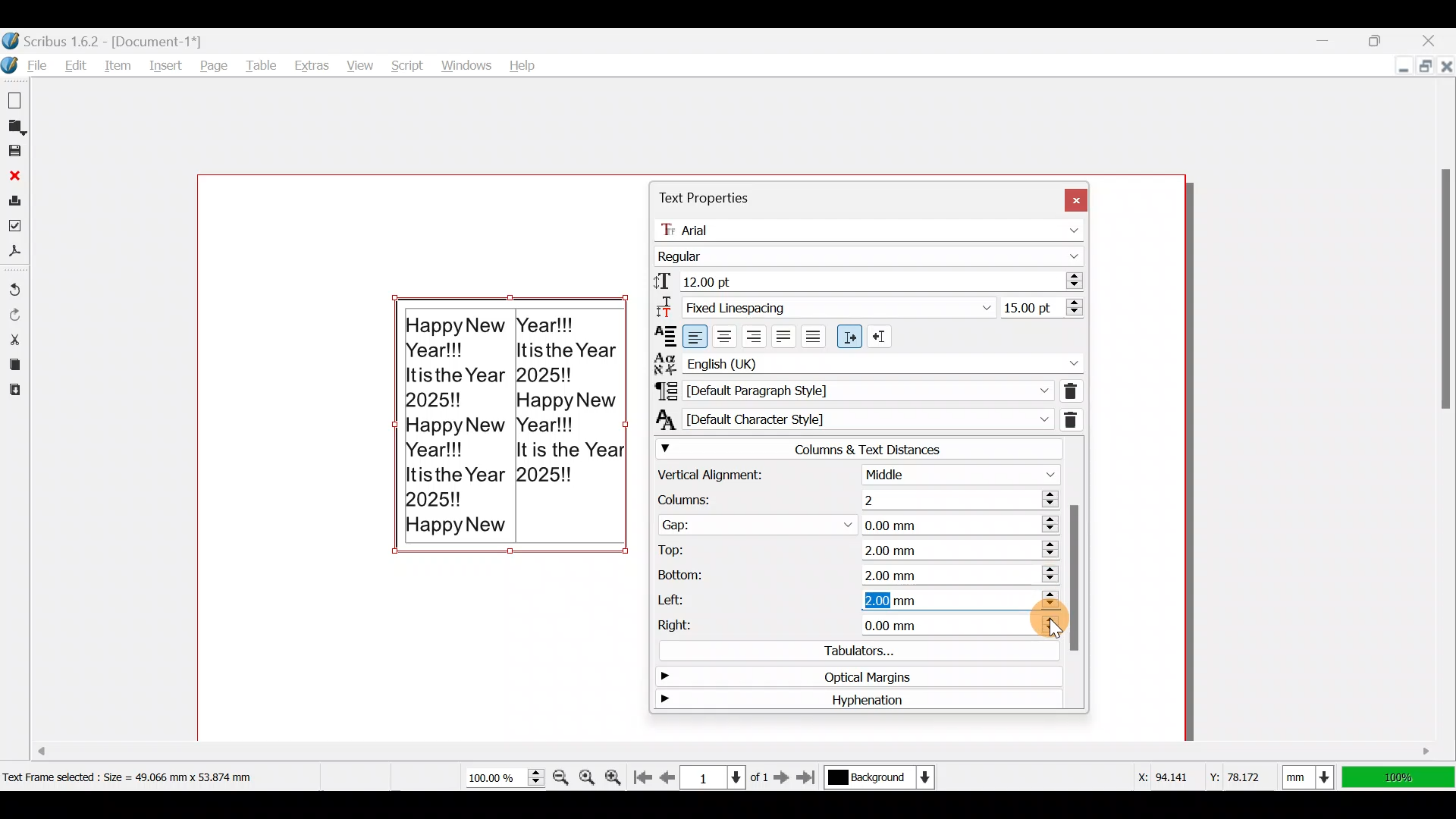 The image size is (1456, 819). Describe the element at coordinates (787, 335) in the screenshot. I see `Align text justified` at that location.